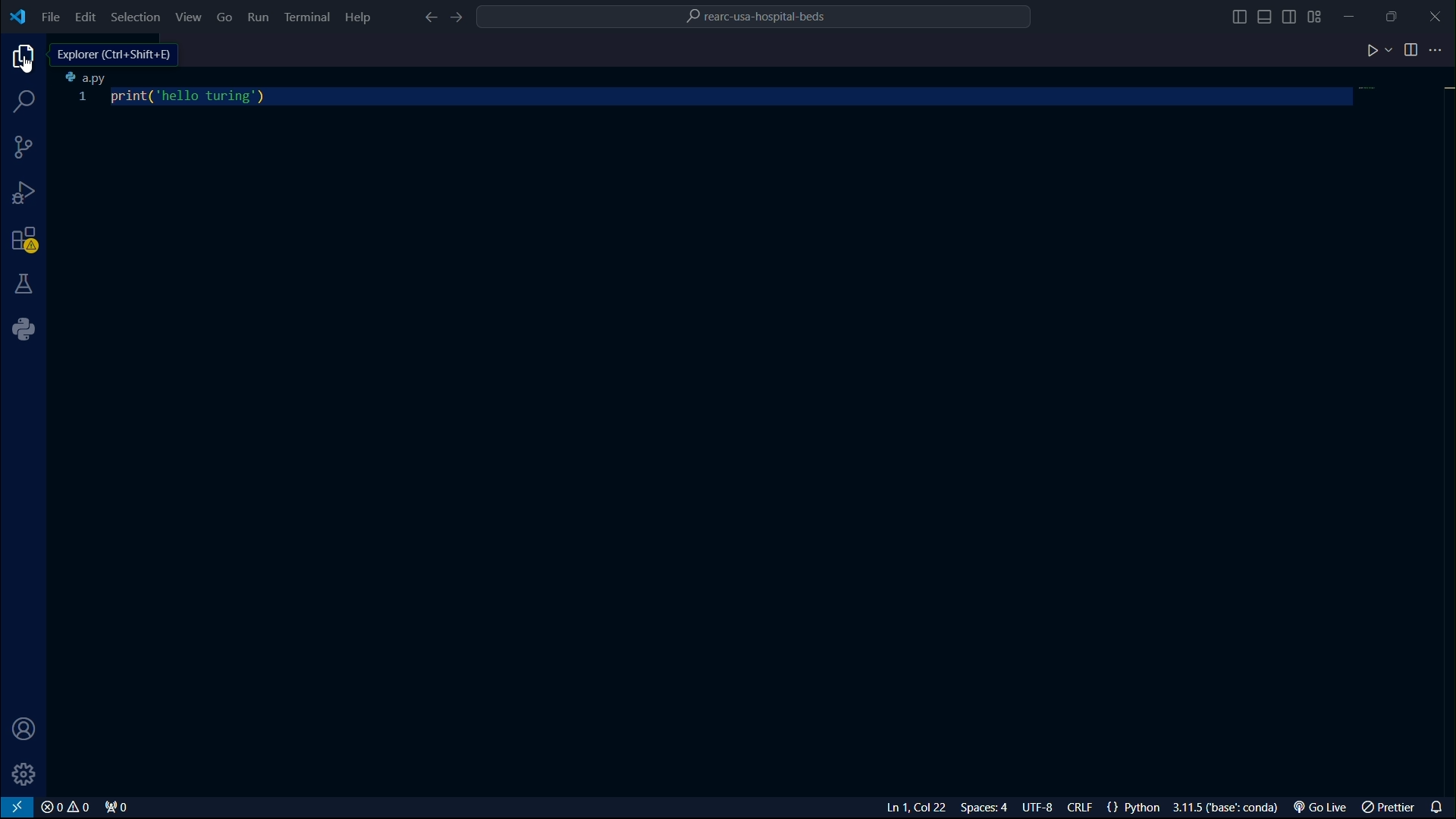 This screenshot has width=1456, height=819. I want to click on change layout, so click(1320, 14).